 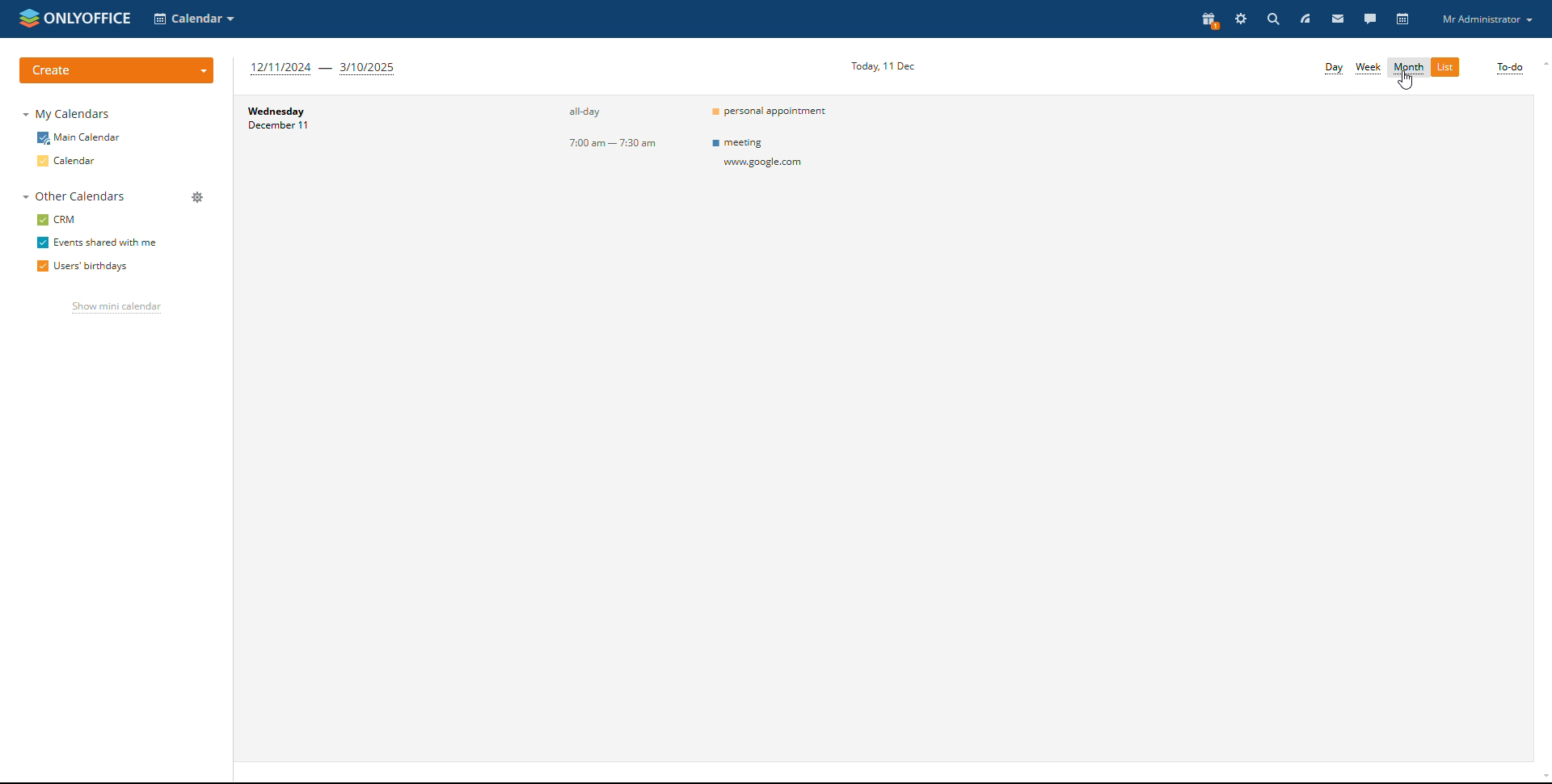 I want to click on cursor, so click(x=1406, y=81).